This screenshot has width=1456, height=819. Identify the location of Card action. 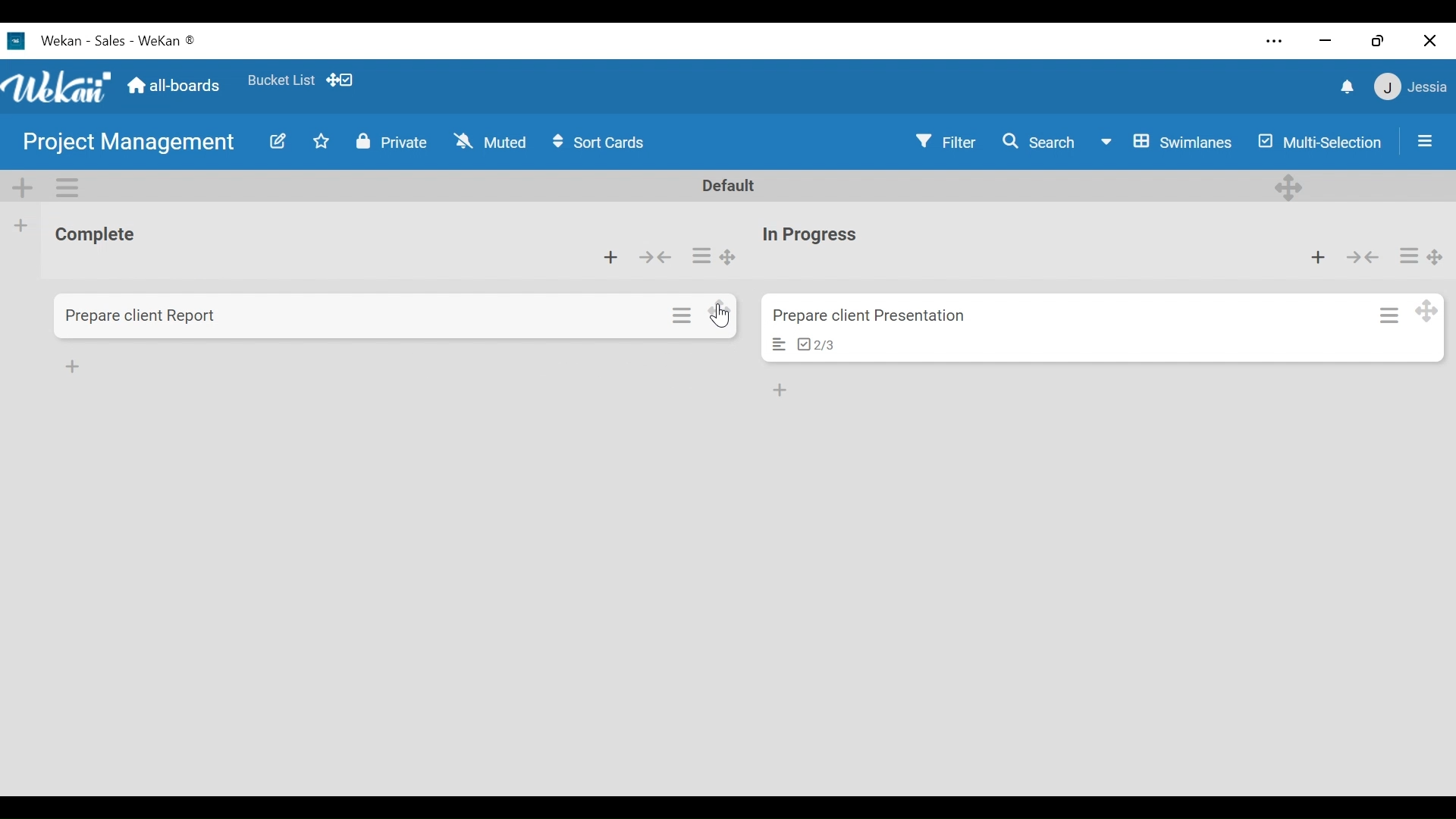
(1385, 319).